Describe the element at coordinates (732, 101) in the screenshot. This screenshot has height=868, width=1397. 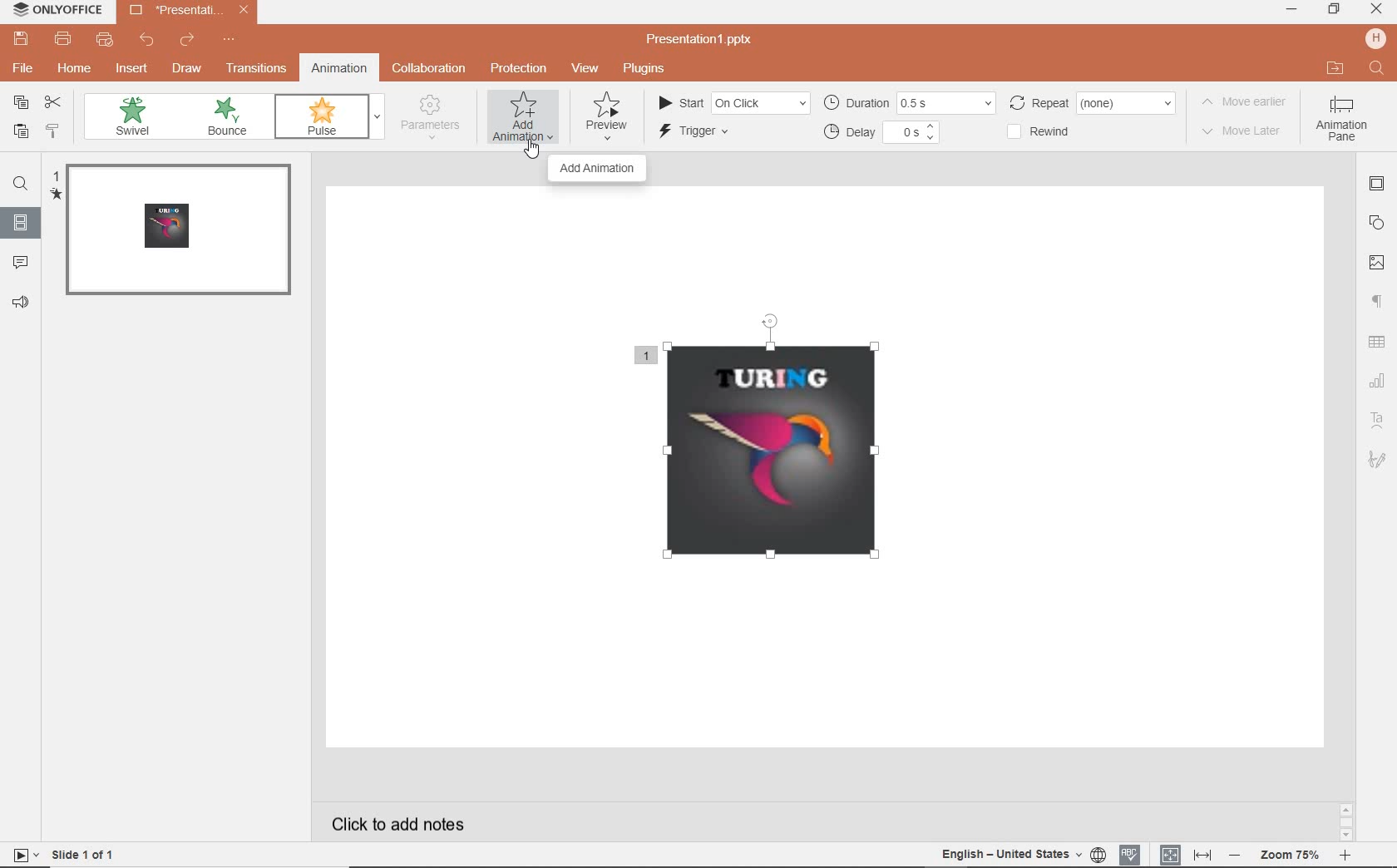
I see `start` at that location.